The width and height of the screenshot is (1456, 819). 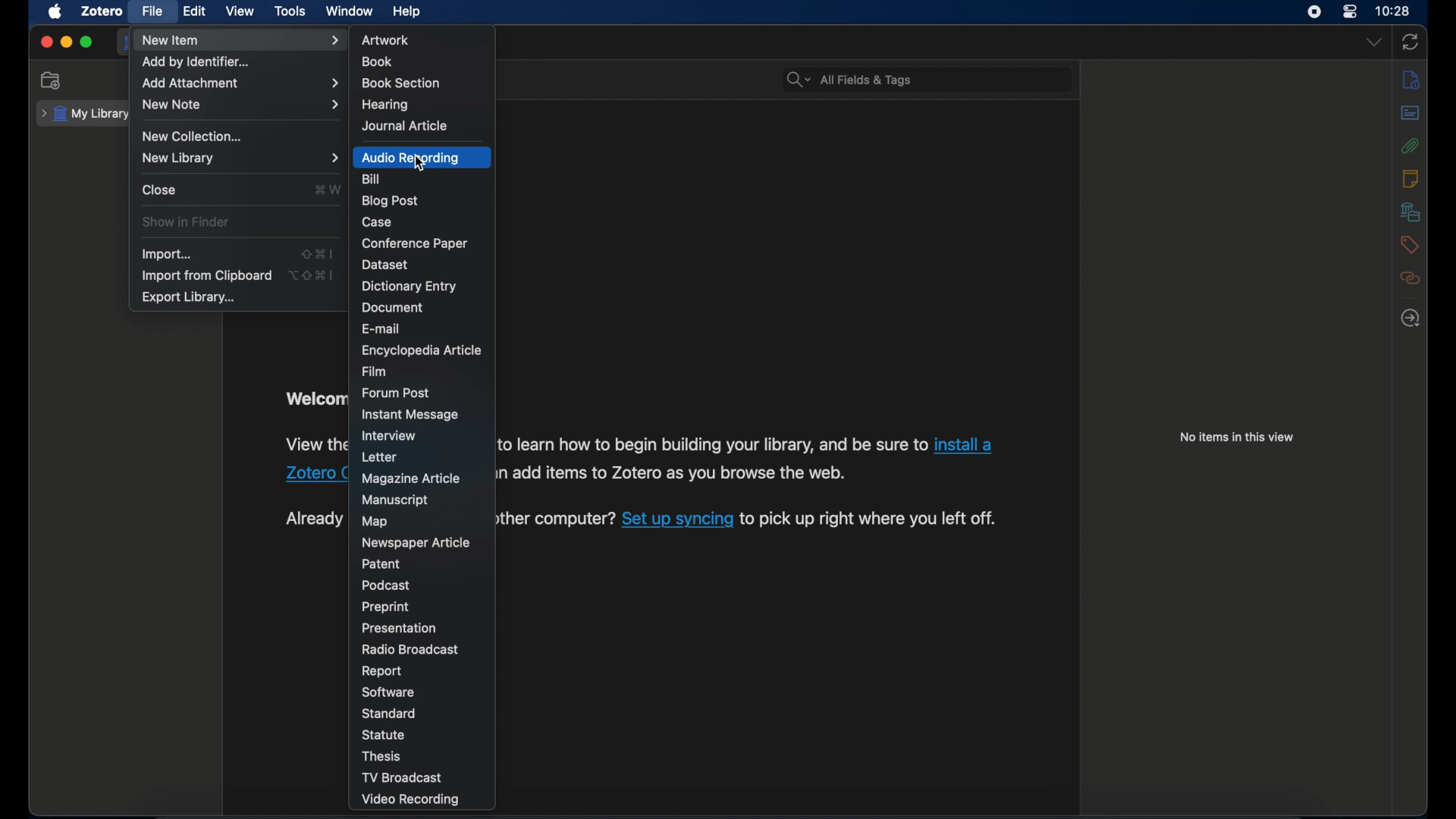 I want to click on tools, so click(x=290, y=11).